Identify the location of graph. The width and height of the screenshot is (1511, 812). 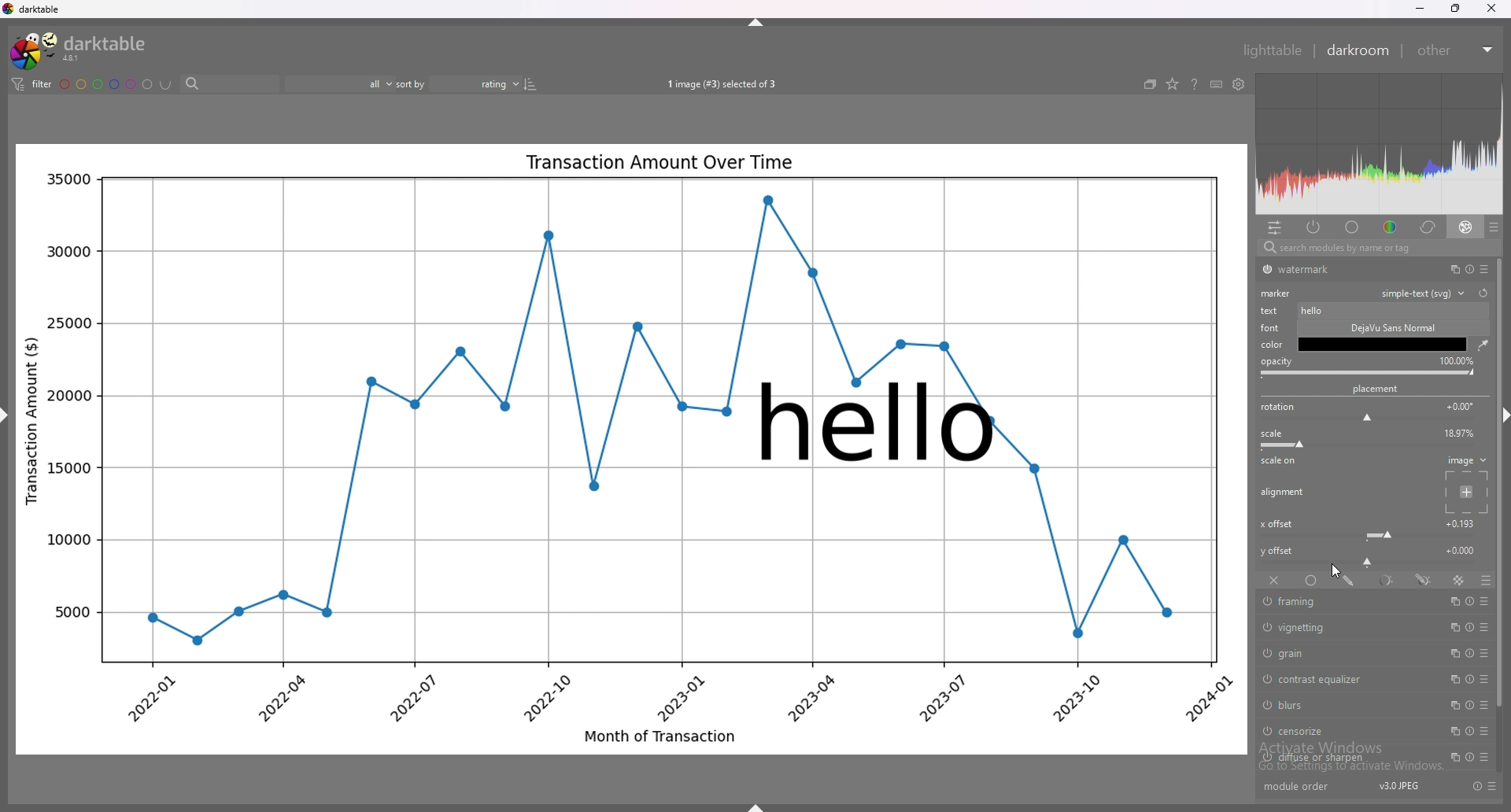
(630, 613).